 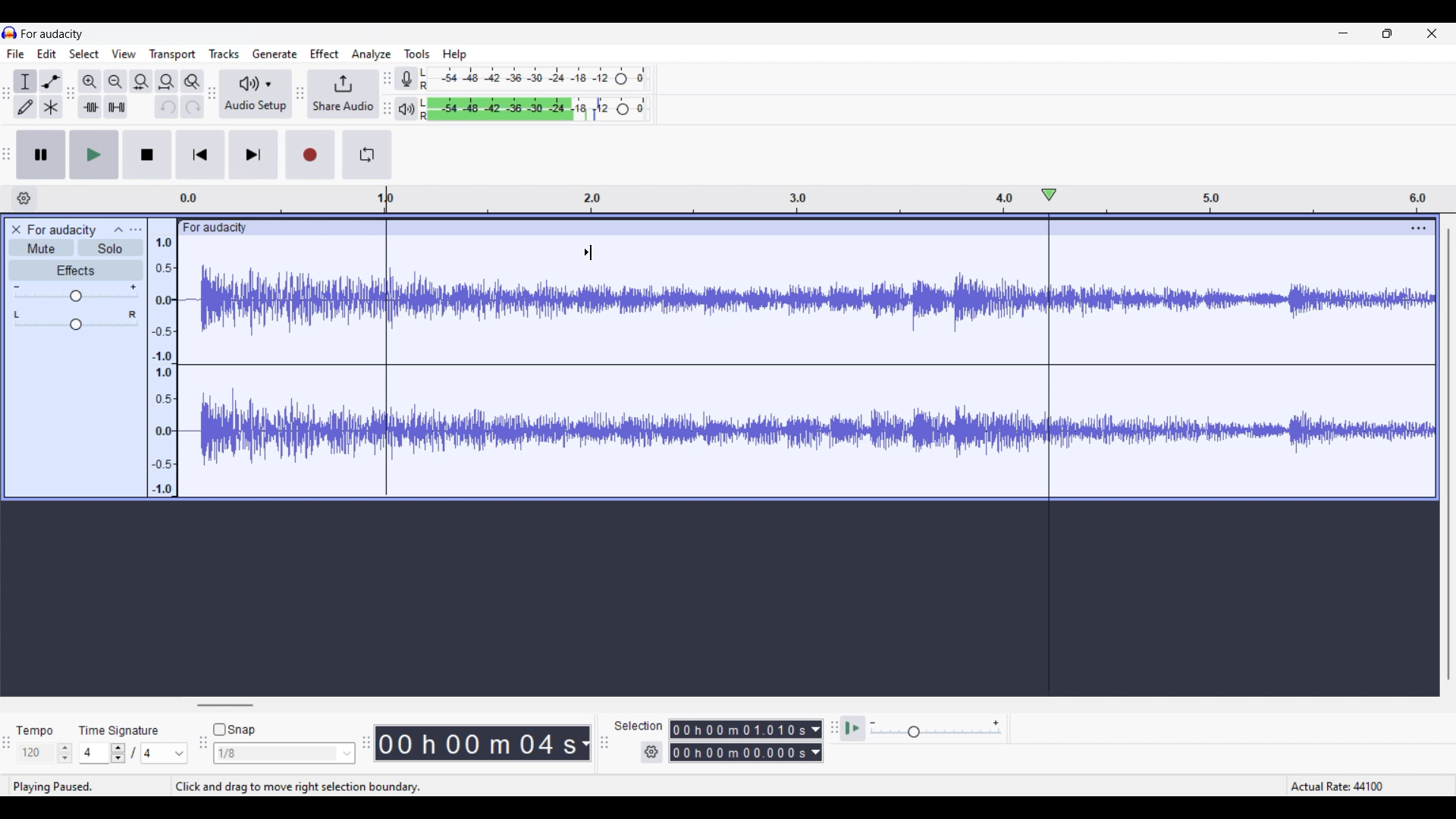 What do you see at coordinates (324, 54) in the screenshot?
I see `Effect menu` at bounding box center [324, 54].